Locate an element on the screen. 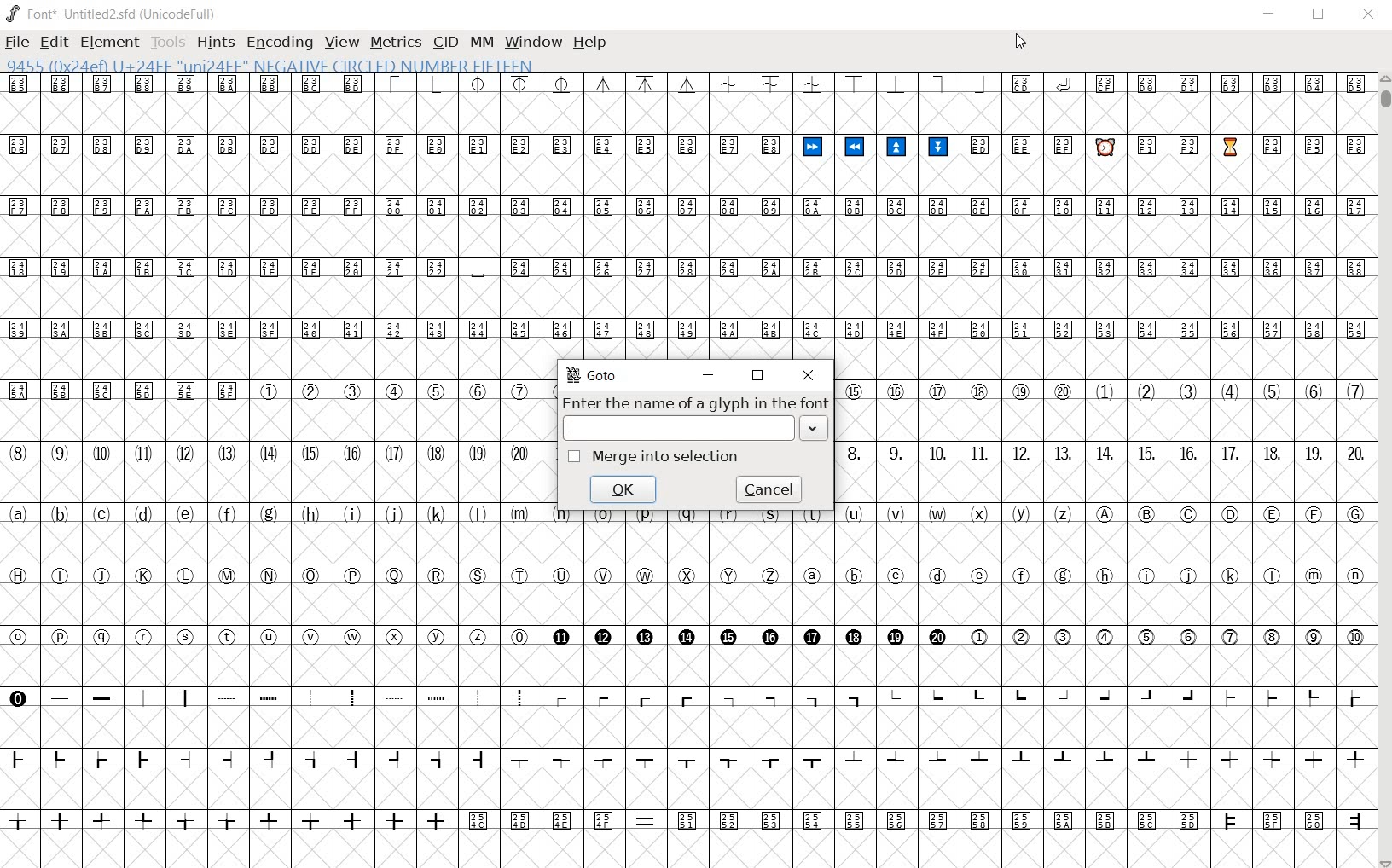 The width and height of the screenshot is (1392, 868). SCROLLBAR is located at coordinates (1383, 471).